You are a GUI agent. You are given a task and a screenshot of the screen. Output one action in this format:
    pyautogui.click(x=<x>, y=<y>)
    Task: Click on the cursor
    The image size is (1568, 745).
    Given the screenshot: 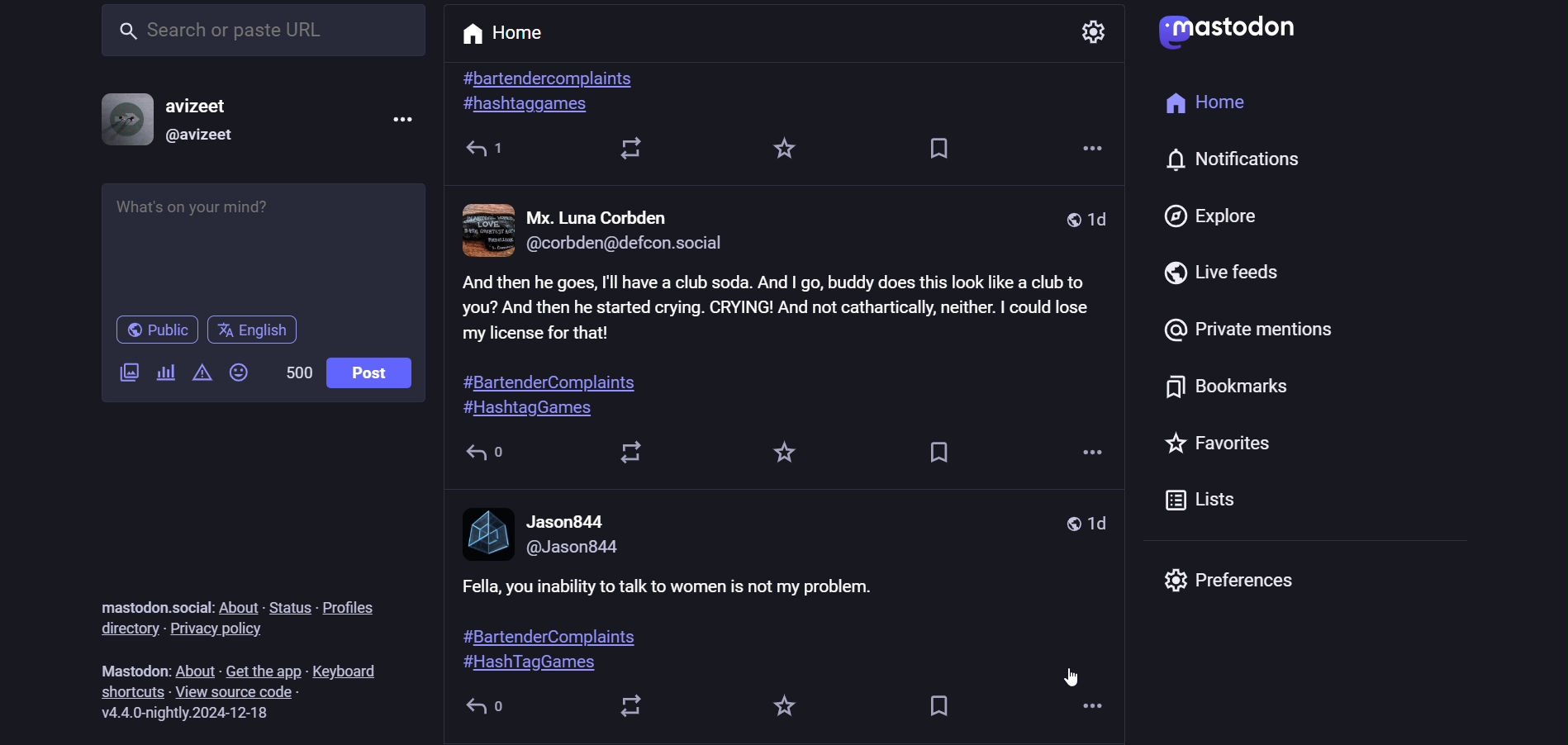 What is the action you would take?
    pyautogui.click(x=1069, y=679)
    